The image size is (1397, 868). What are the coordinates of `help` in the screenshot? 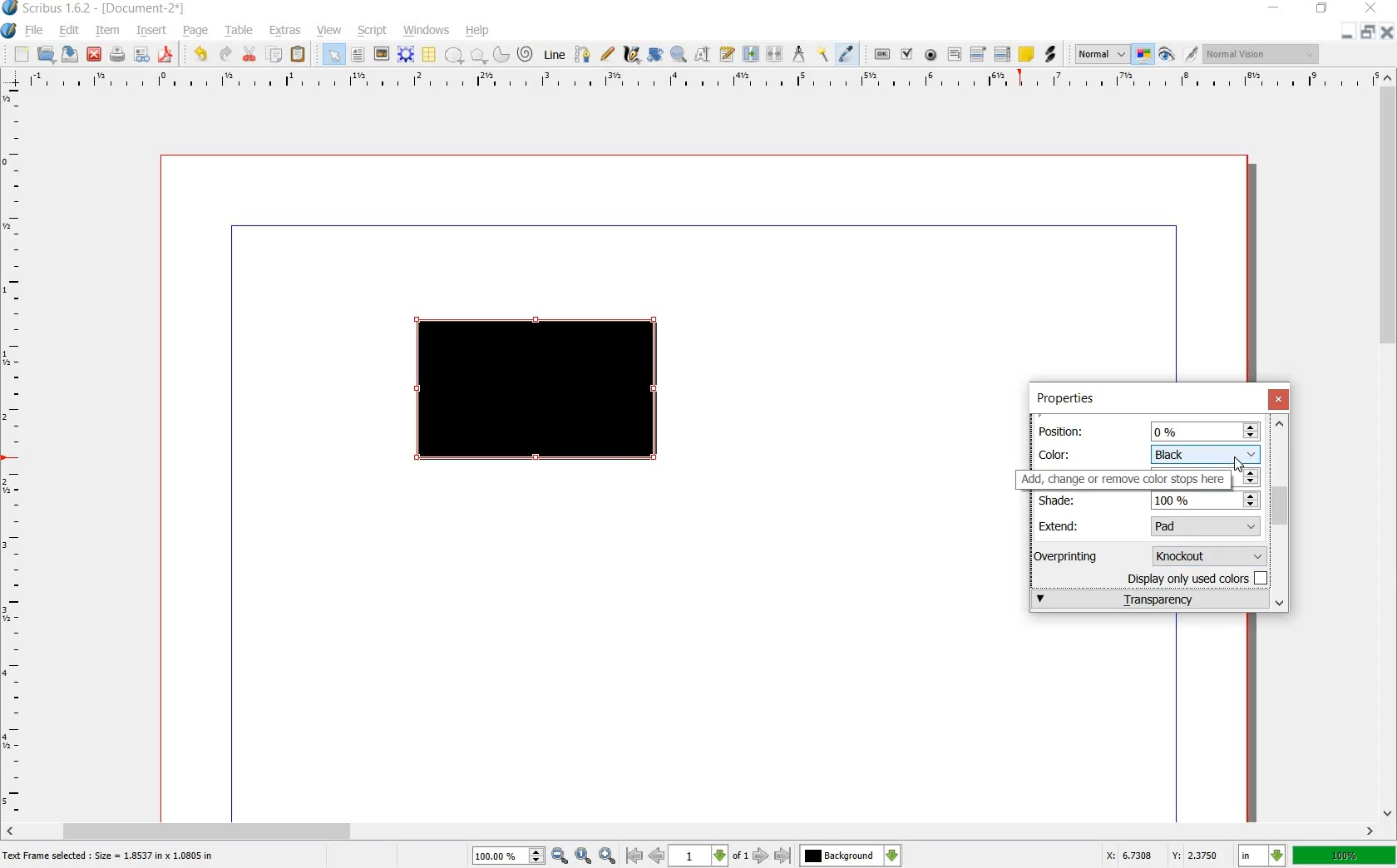 It's located at (478, 31).